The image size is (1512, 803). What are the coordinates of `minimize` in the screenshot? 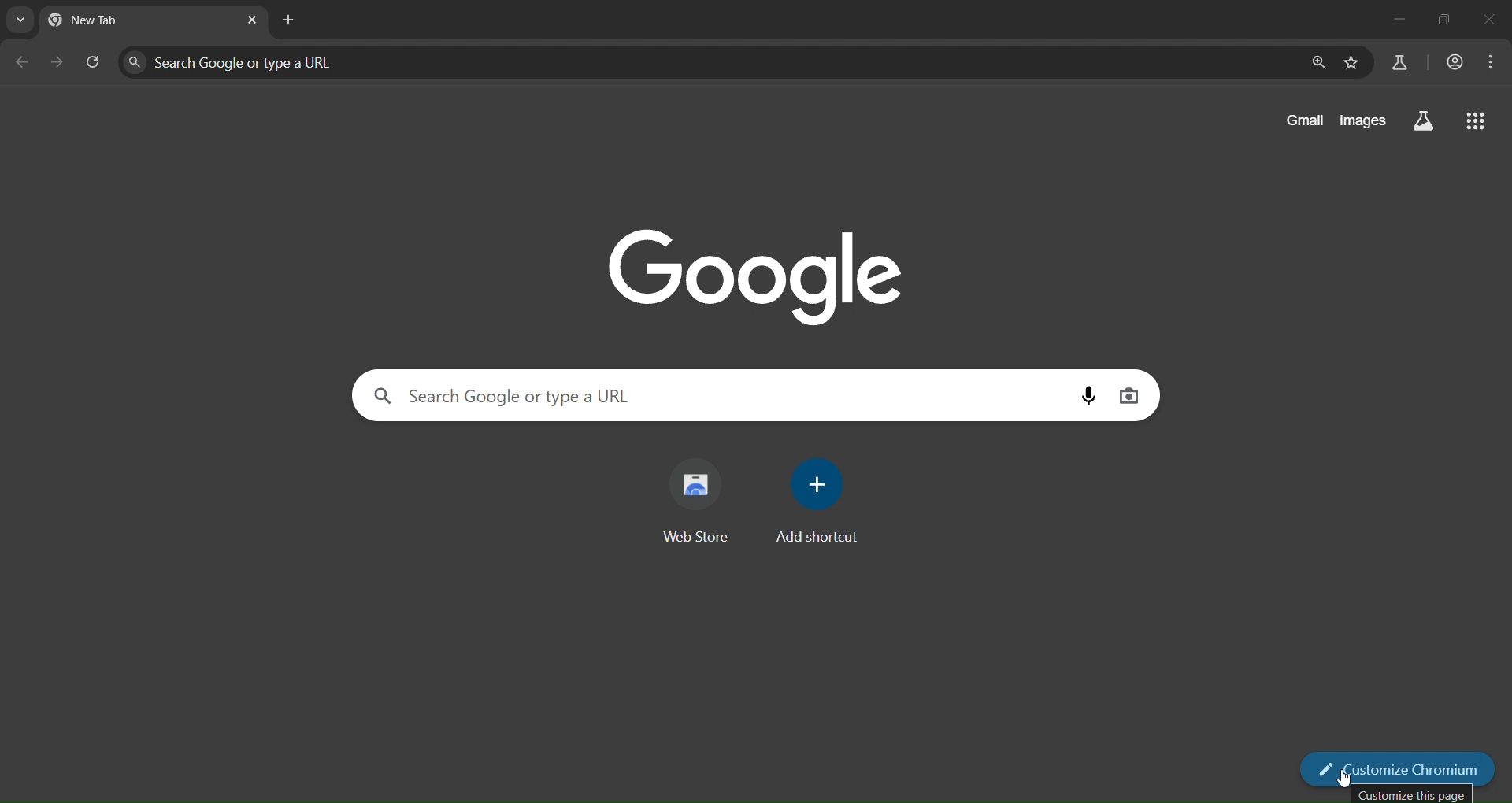 It's located at (1382, 20).